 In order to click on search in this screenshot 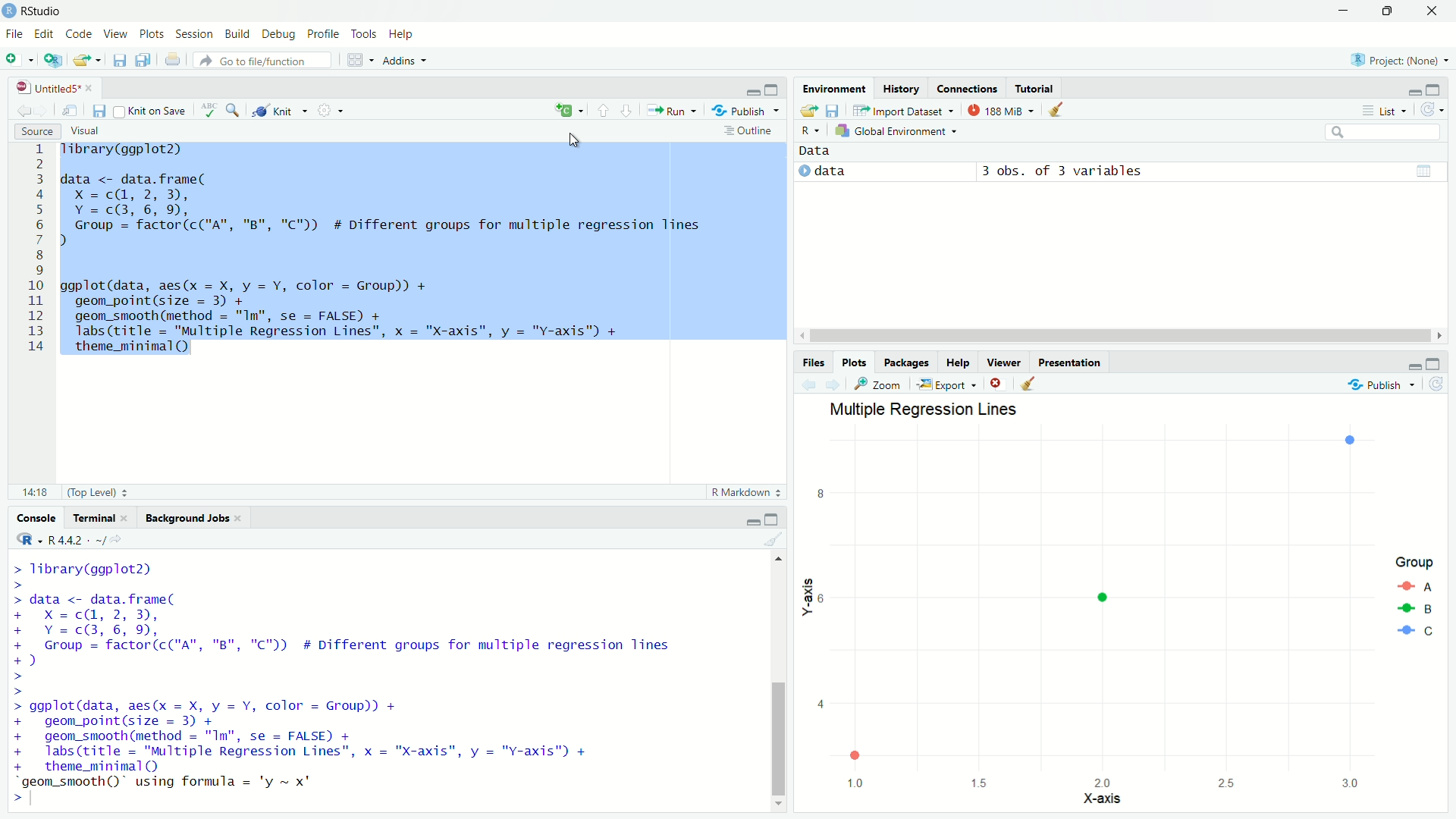, I will do `click(1392, 131)`.